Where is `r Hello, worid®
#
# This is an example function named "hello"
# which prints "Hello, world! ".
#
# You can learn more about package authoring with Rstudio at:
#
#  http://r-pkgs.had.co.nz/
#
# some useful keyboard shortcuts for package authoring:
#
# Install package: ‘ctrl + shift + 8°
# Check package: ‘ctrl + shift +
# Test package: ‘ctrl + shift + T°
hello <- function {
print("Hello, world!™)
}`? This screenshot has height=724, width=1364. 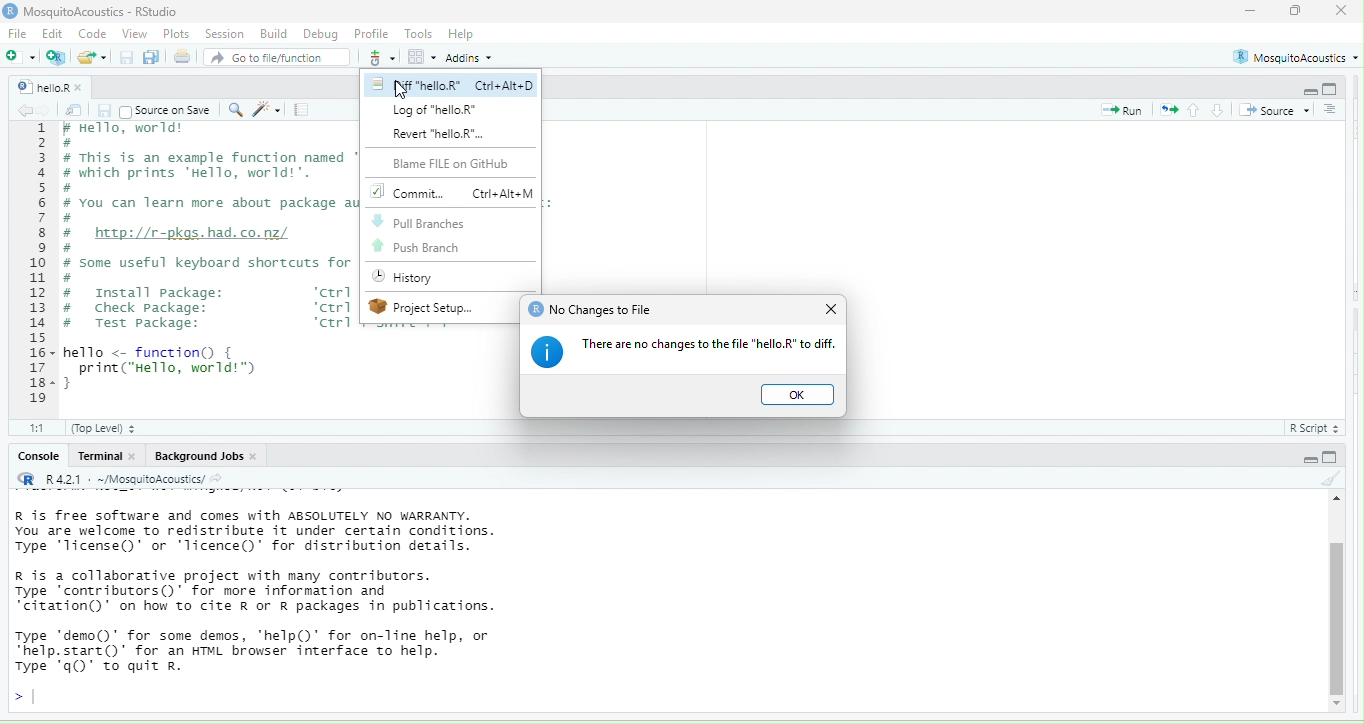 r Hello, worid®
#
# This is an example function named "hello"
# which prints "Hello, world! ".
#
# You can learn more about package authoring with Rstudio at:
#
#  http://r-pkgs.had.co.nz/
#
# some useful keyboard shortcuts for package authoring:
#
# Install package: ‘ctrl + shift + 8°
# Check package: ‘ctrl + shift +
# Test package: ‘ctrl + shift + T°
hello <- function {
print("Hello, world!™)
} is located at coordinates (210, 254).